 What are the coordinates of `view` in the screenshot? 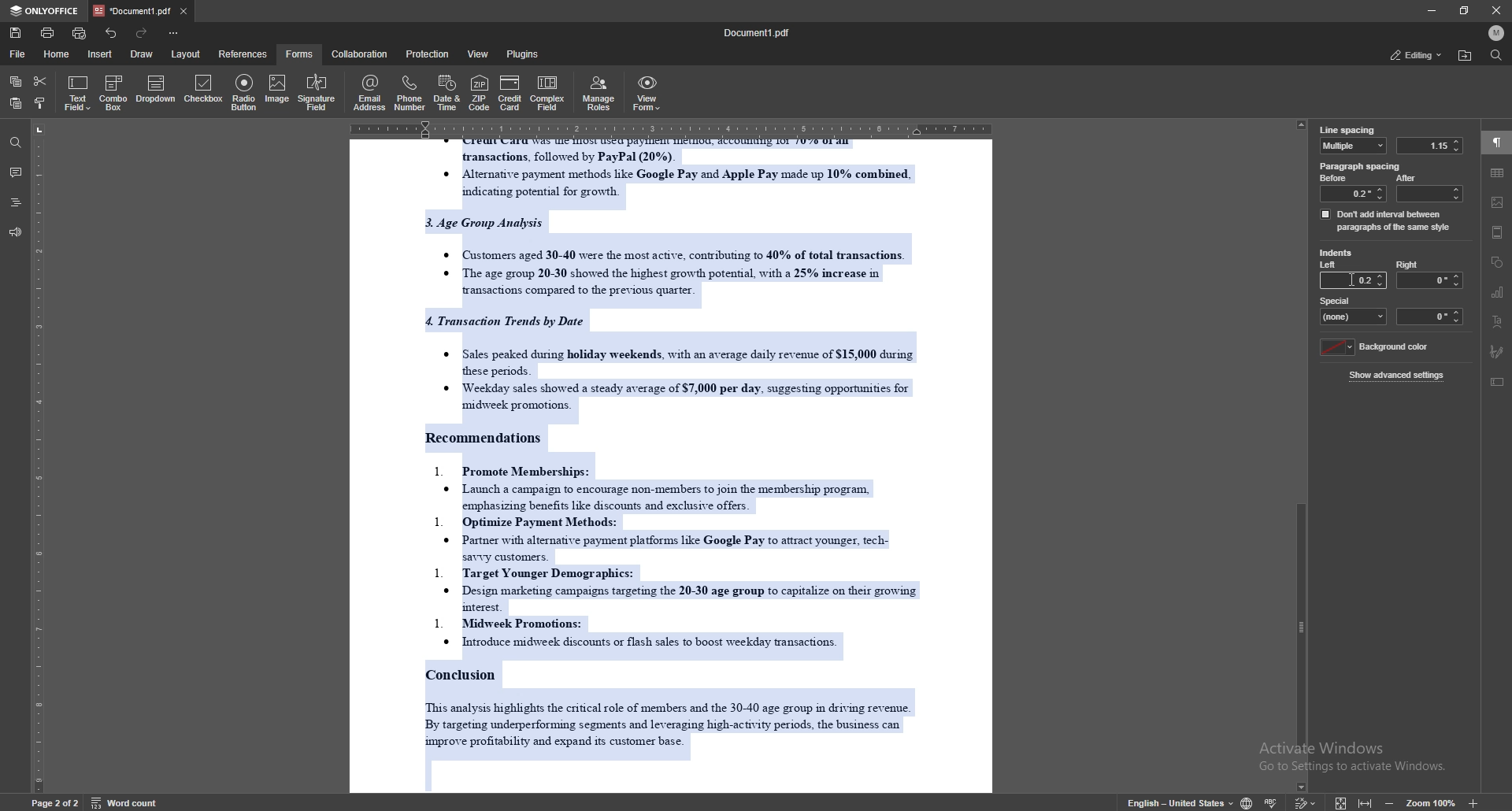 It's located at (480, 54).